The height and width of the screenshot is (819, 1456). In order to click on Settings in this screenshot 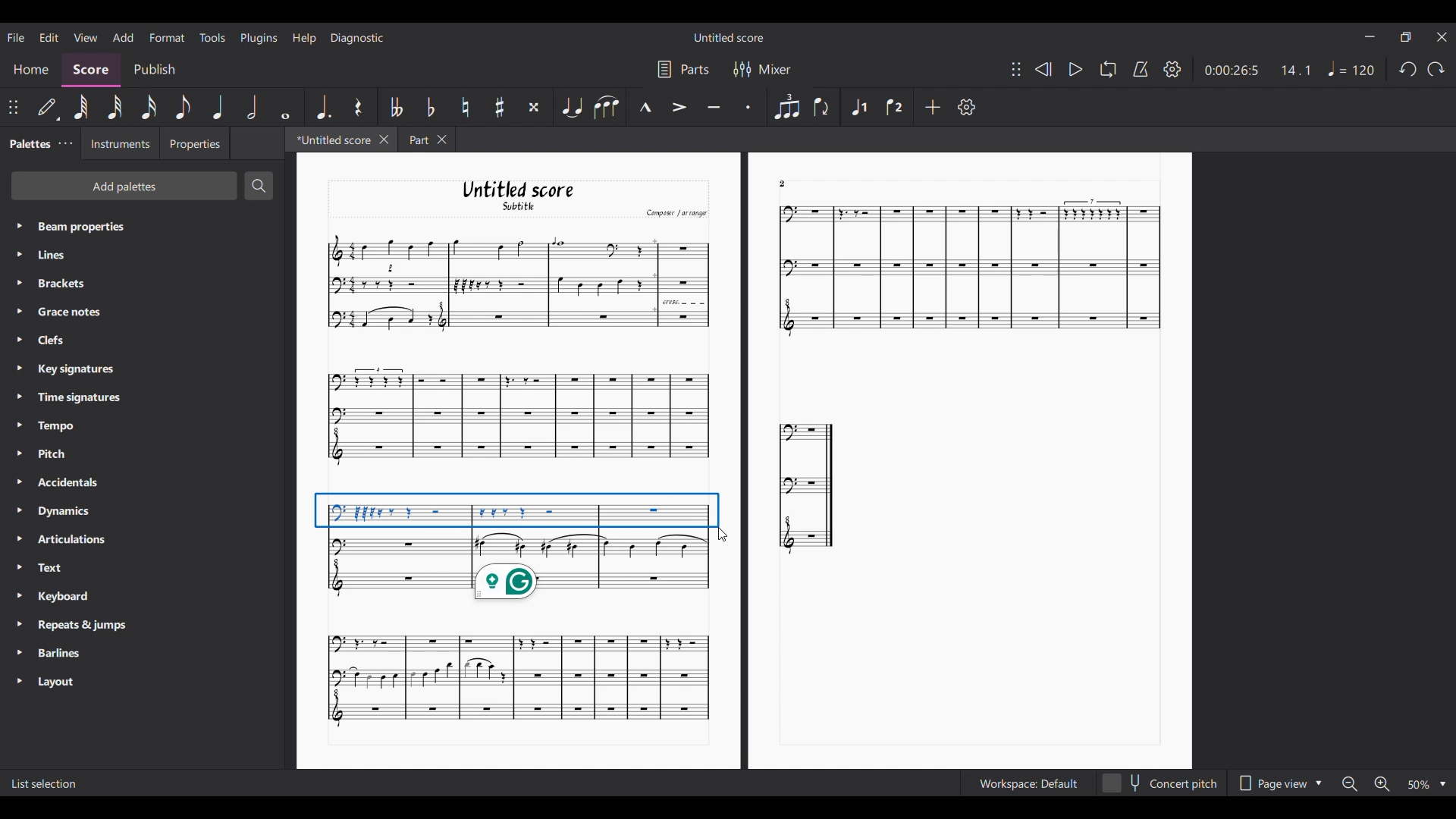, I will do `click(1172, 69)`.